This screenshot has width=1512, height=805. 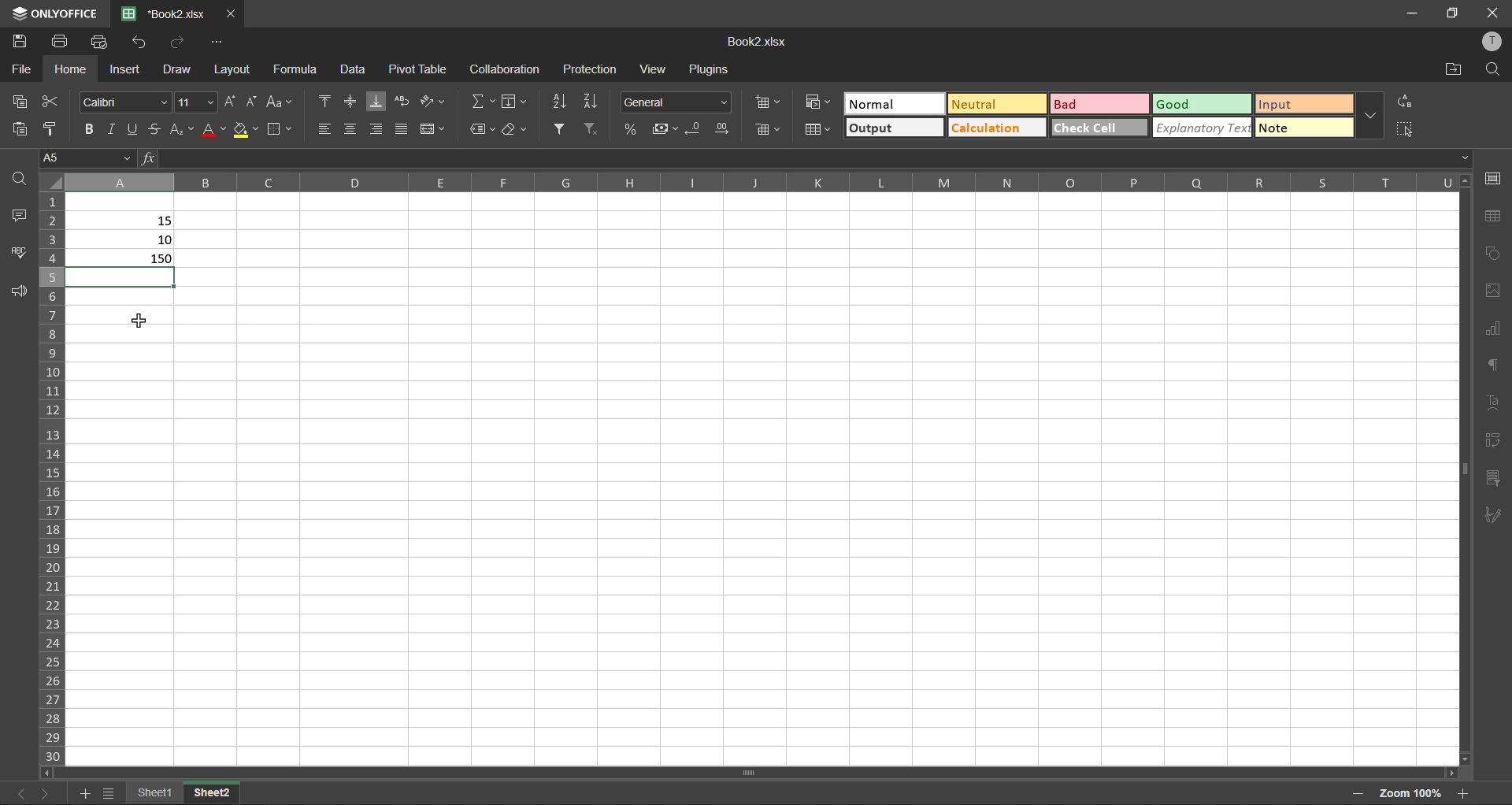 What do you see at coordinates (484, 129) in the screenshot?
I see `named ranges` at bounding box center [484, 129].